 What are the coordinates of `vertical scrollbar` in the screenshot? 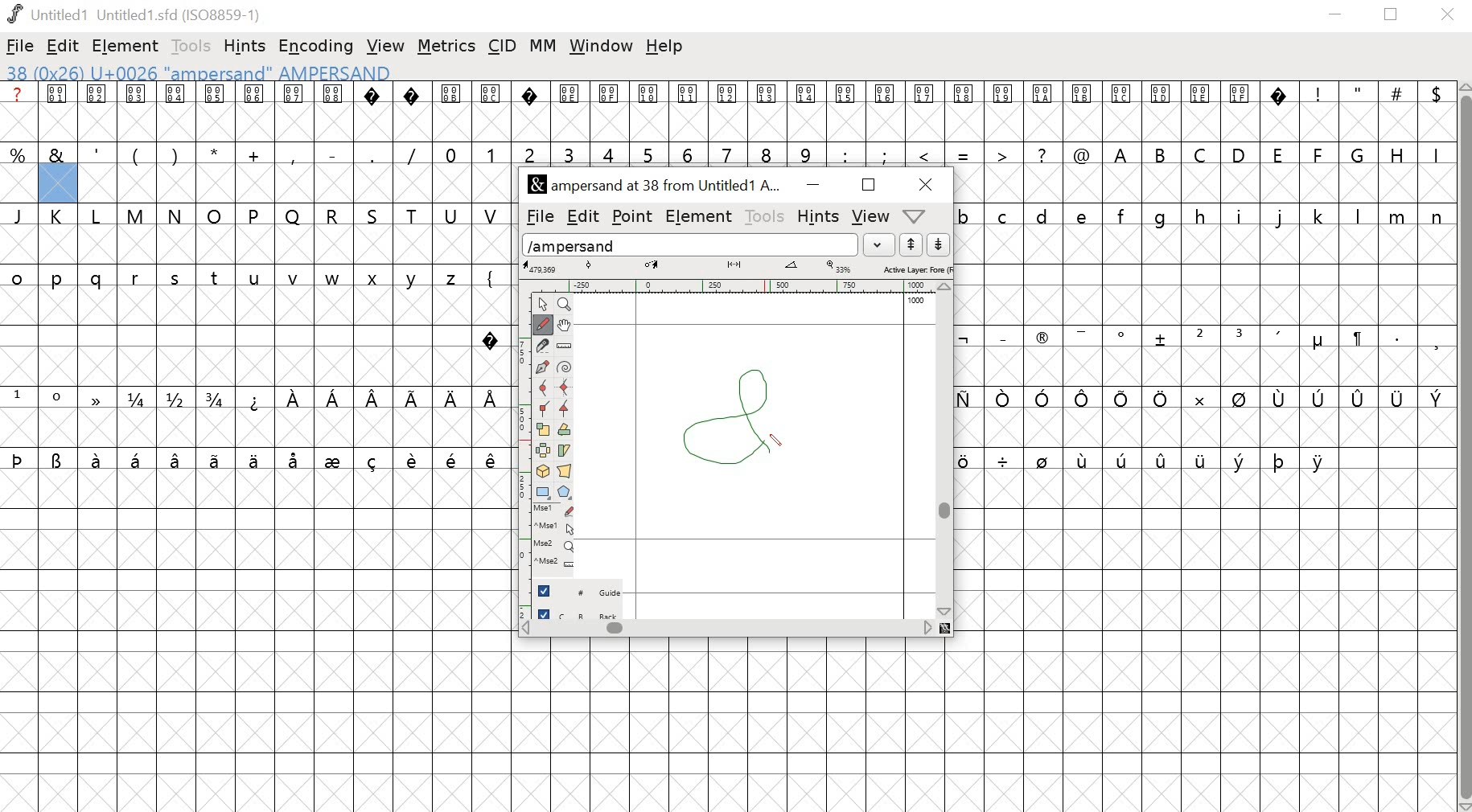 It's located at (1463, 446).